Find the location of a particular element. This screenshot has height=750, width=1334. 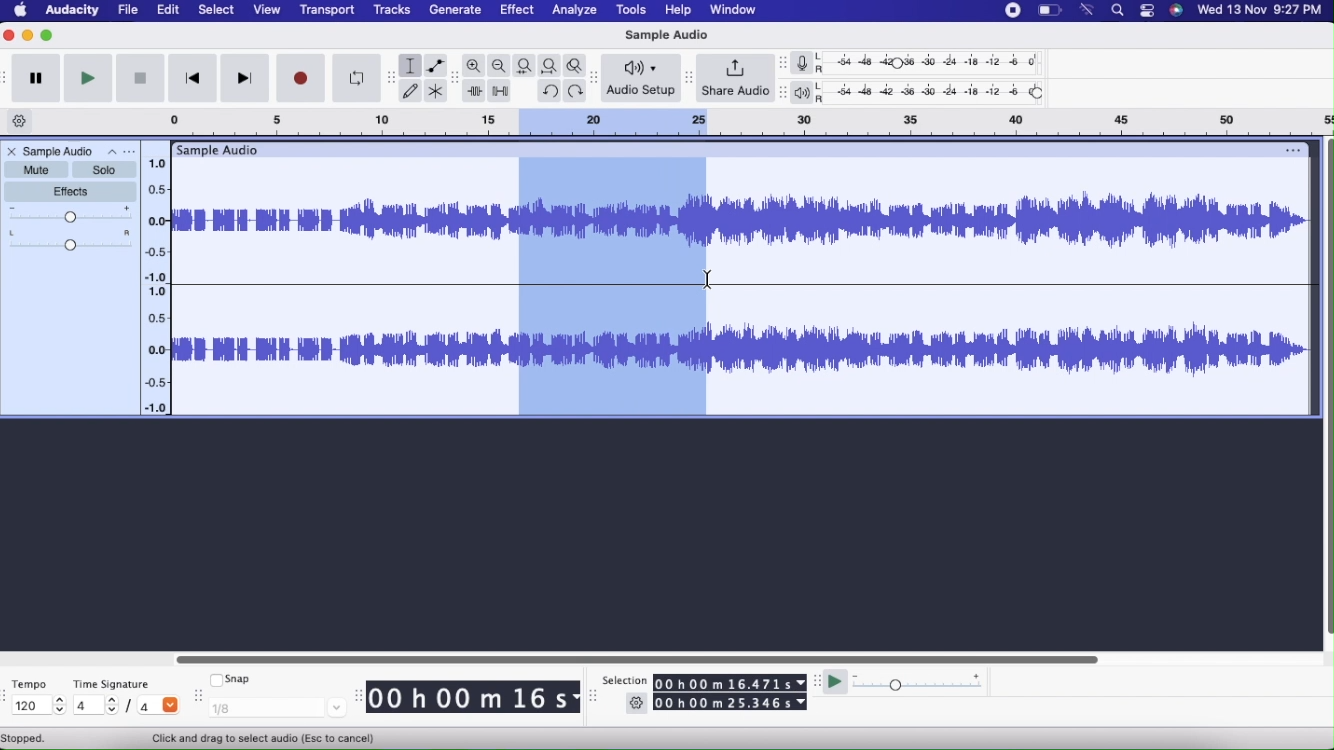

Redo is located at coordinates (578, 91).